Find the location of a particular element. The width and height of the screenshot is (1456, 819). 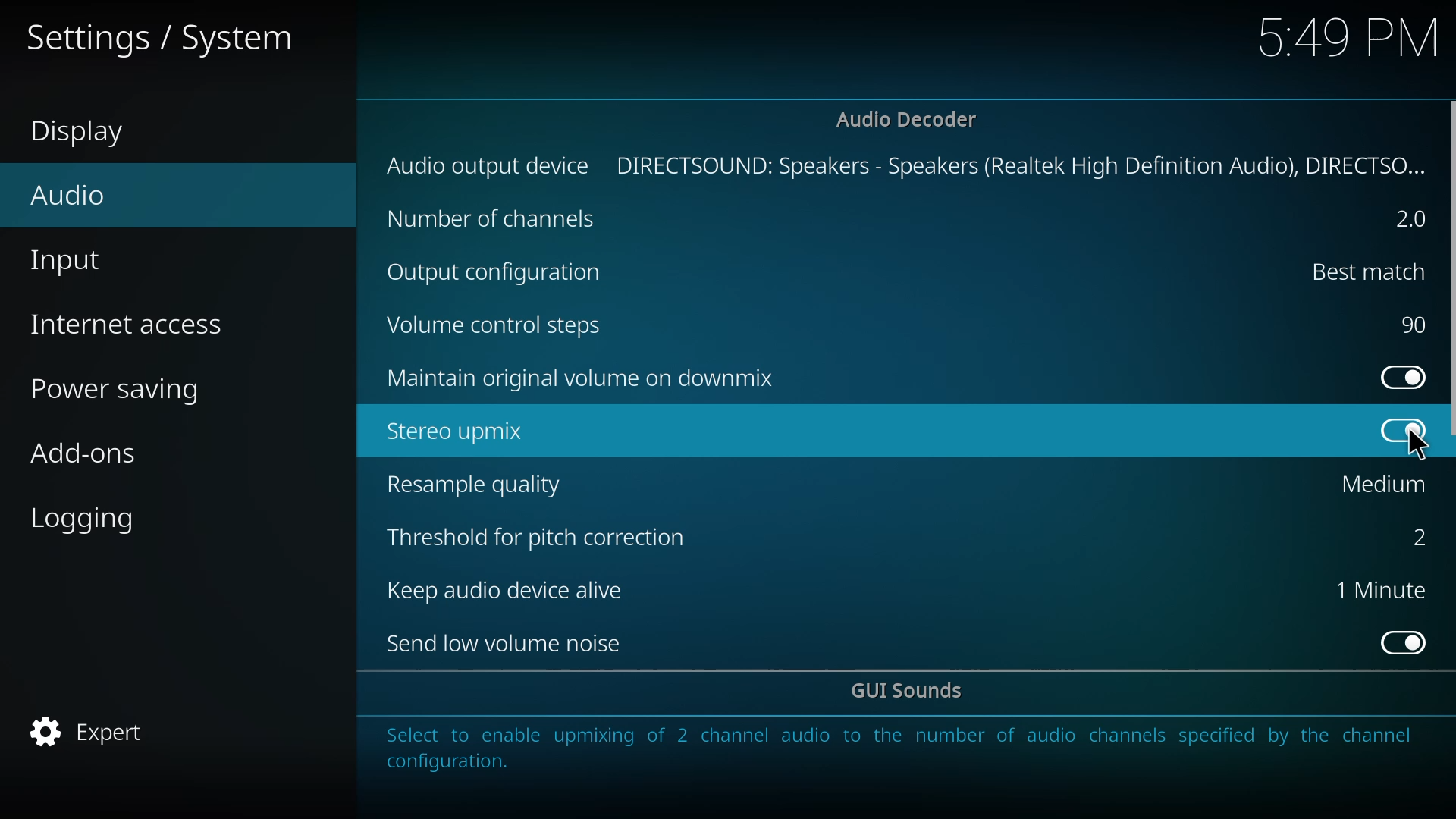

output cofig is located at coordinates (502, 272).